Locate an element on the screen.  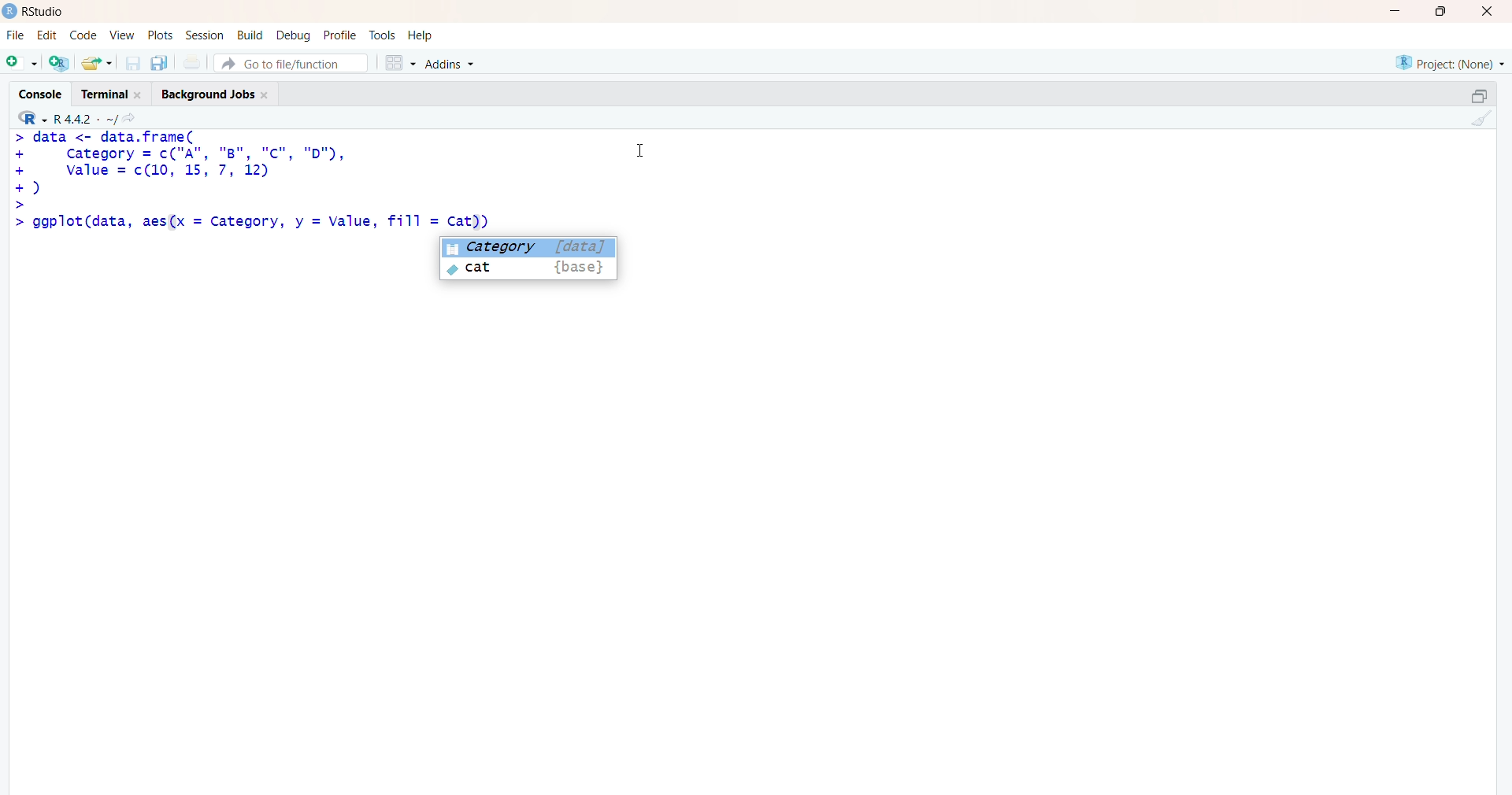
grid view is located at coordinates (399, 62).